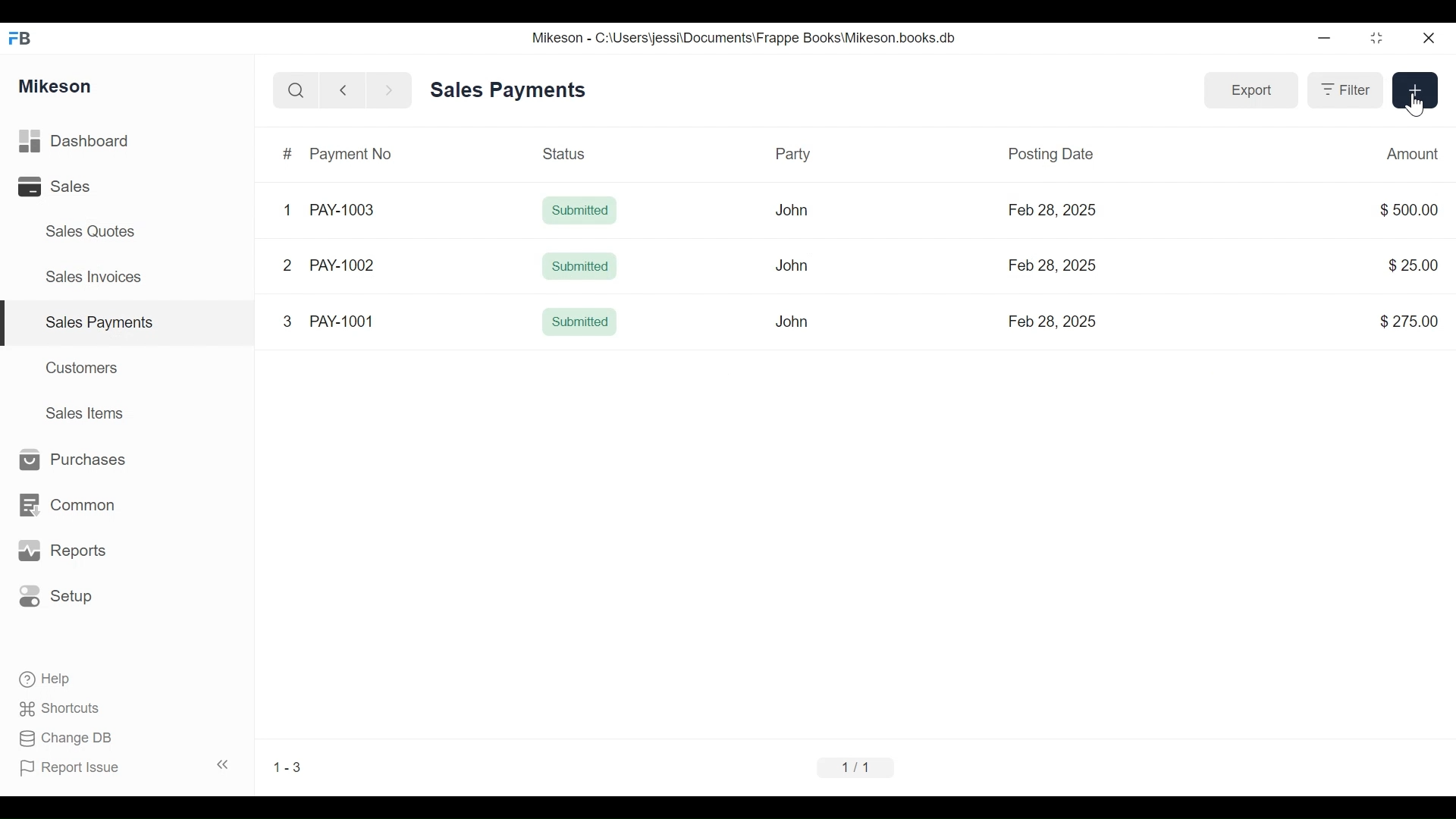  Describe the element at coordinates (226, 766) in the screenshot. I see `Collapse` at that location.